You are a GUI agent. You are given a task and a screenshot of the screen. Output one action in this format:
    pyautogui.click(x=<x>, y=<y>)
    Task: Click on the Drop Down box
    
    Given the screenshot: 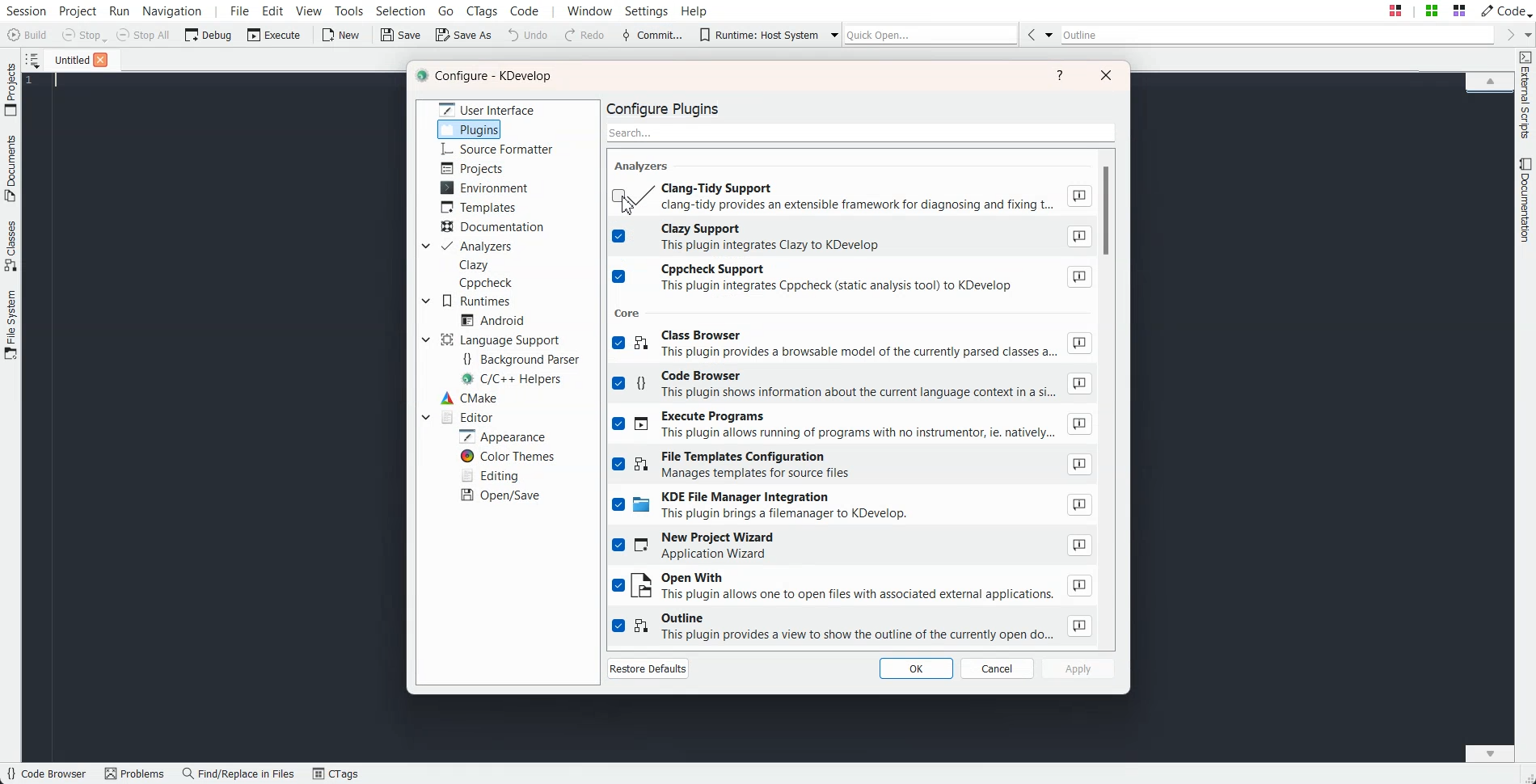 What is the action you would take?
    pyautogui.click(x=1049, y=34)
    